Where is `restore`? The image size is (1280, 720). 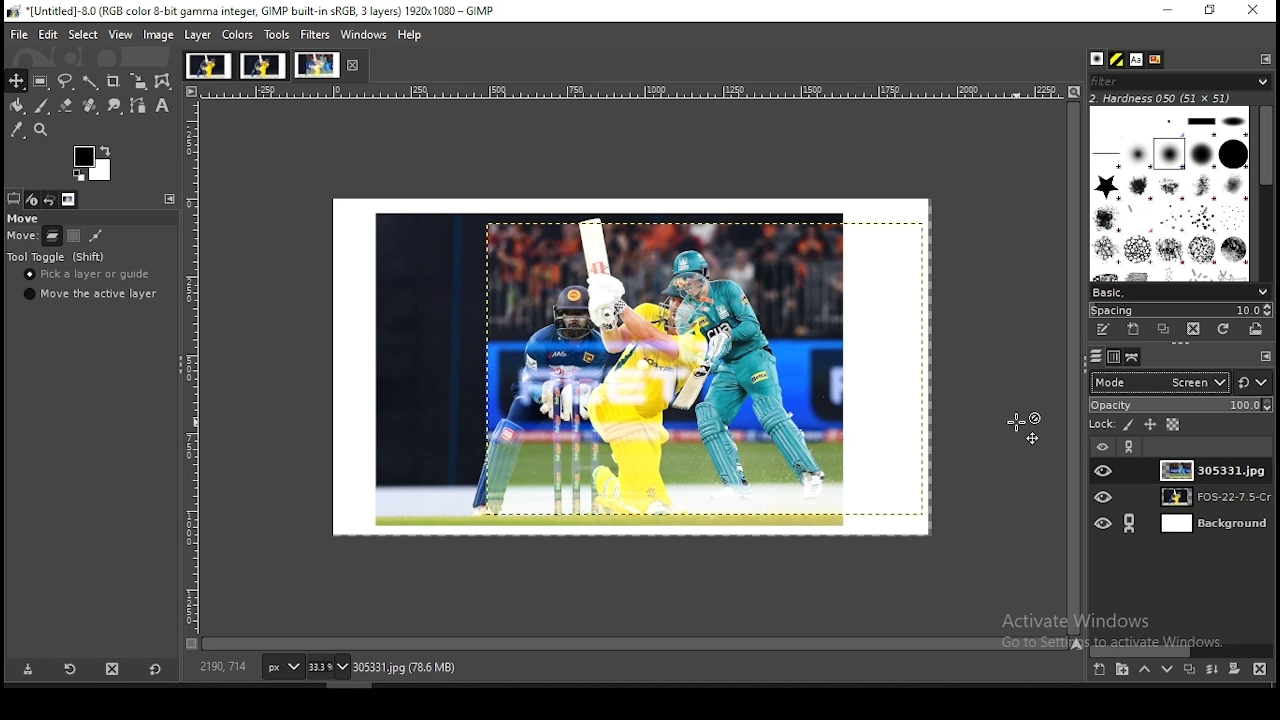
restore is located at coordinates (1212, 10).